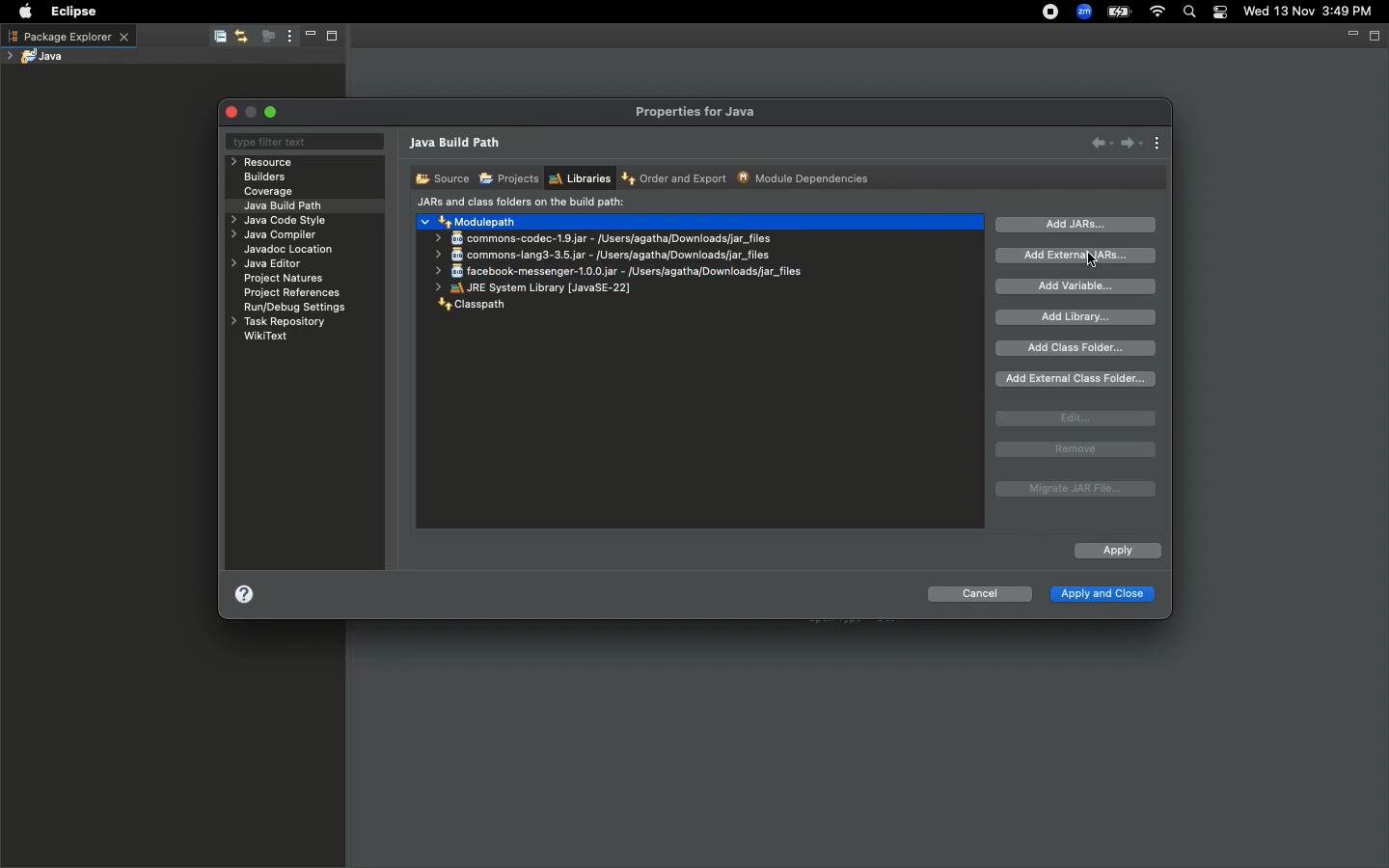  I want to click on Classpath, so click(472, 305).